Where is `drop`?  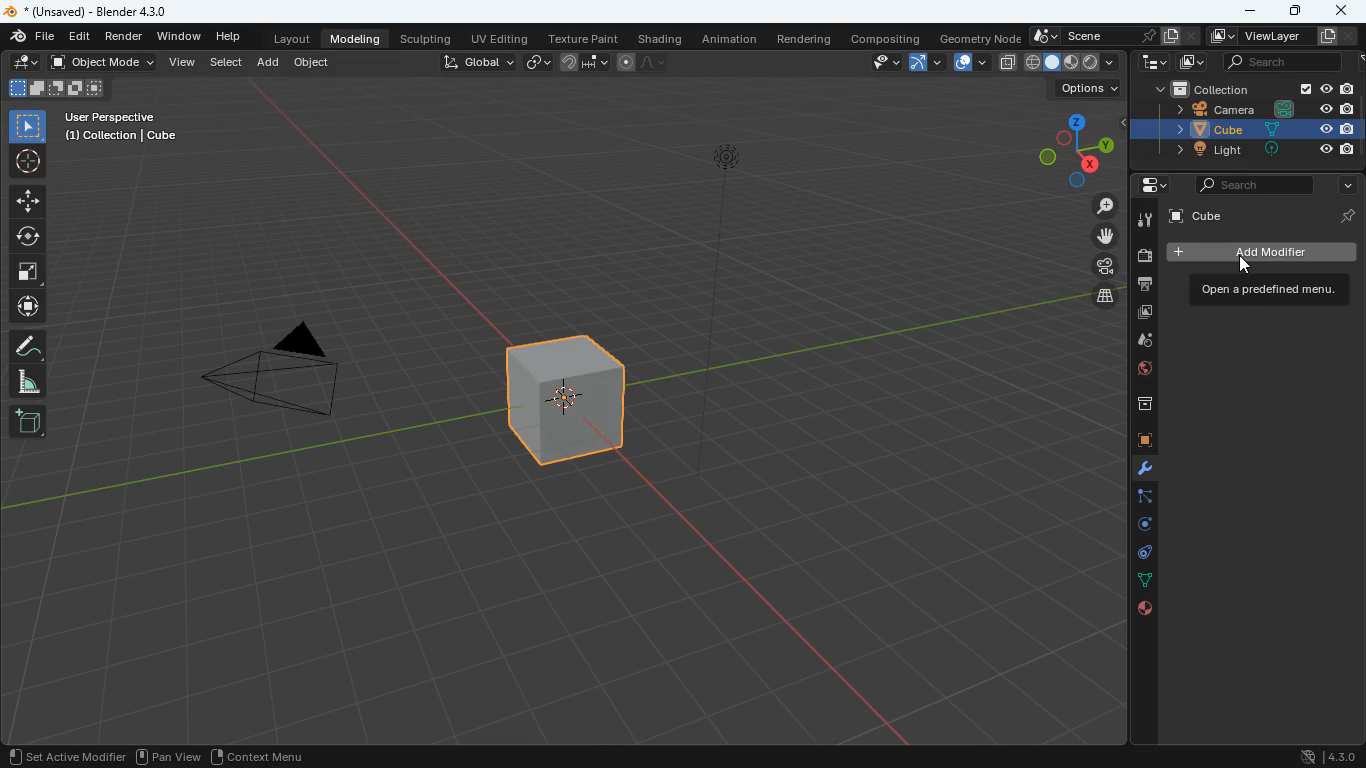 drop is located at coordinates (1137, 345).